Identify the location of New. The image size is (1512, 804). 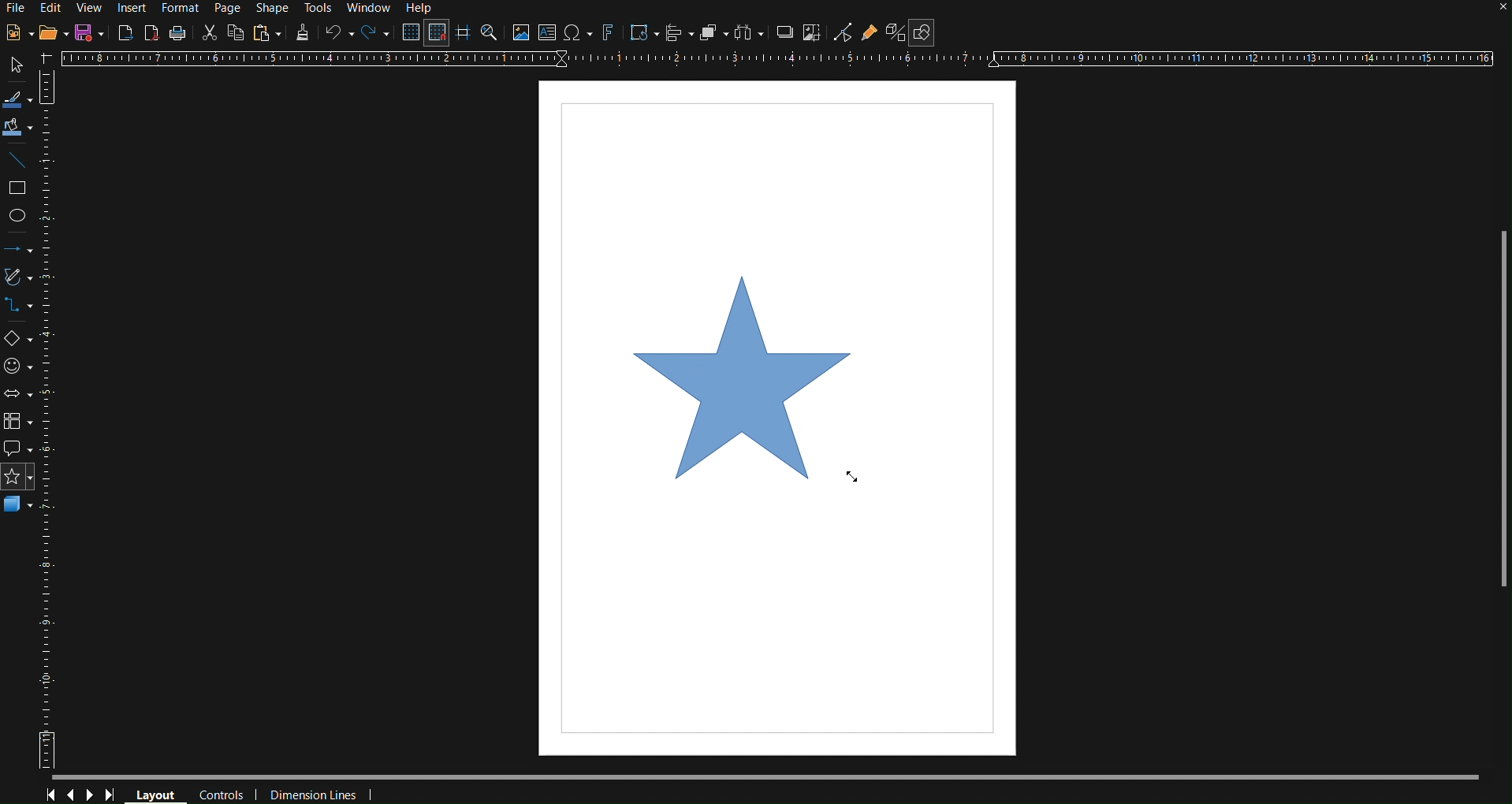
(19, 33).